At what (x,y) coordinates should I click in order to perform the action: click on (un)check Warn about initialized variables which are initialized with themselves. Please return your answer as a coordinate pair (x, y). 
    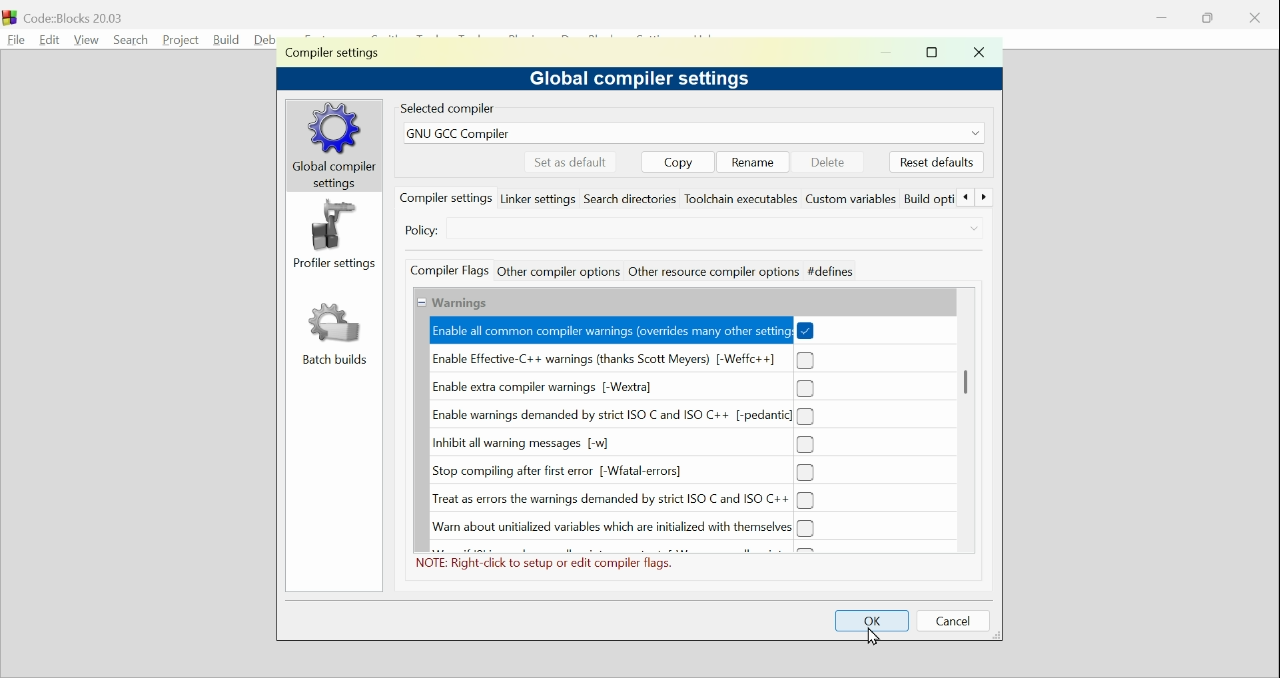
    Looking at the image, I should click on (618, 528).